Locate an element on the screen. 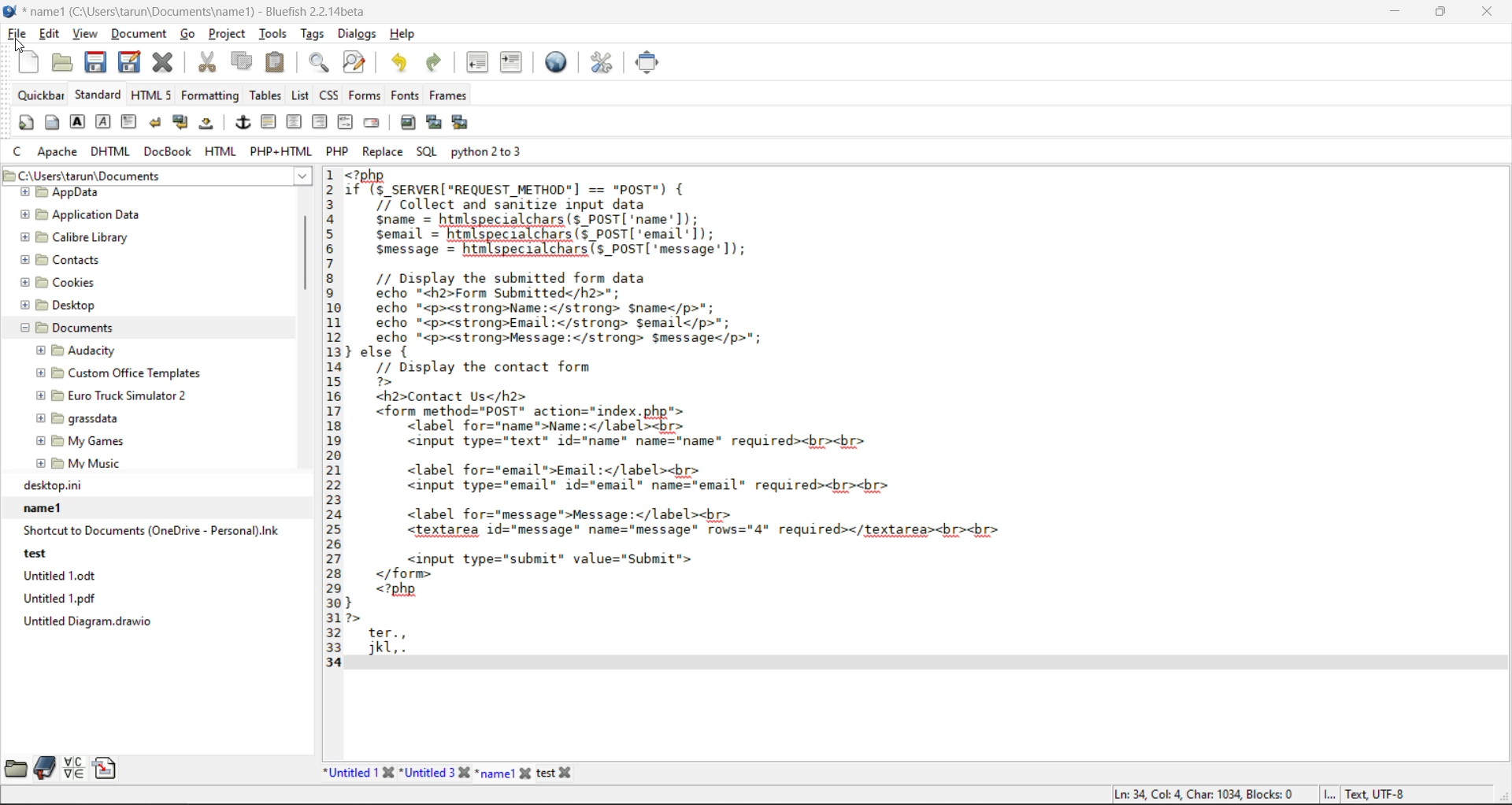 Image resolution: width=1512 pixels, height=805 pixels. cut is located at coordinates (207, 62).